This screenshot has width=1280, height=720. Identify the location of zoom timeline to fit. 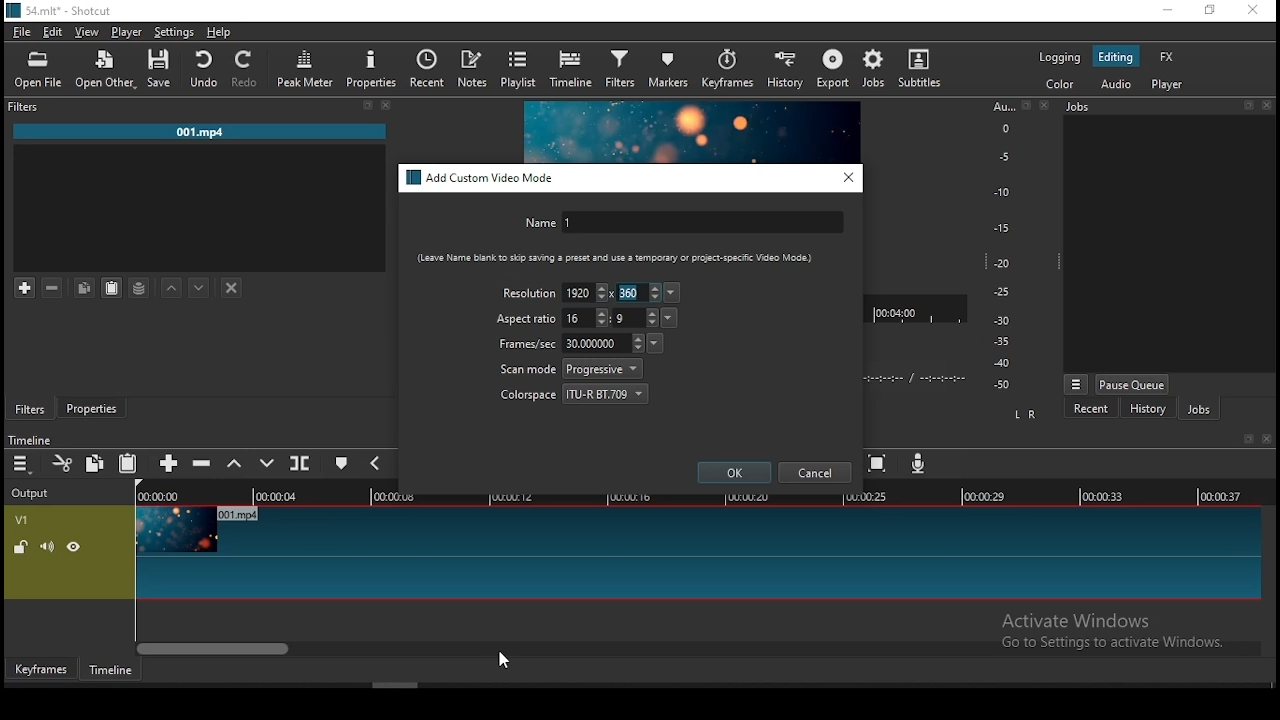
(879, 465).